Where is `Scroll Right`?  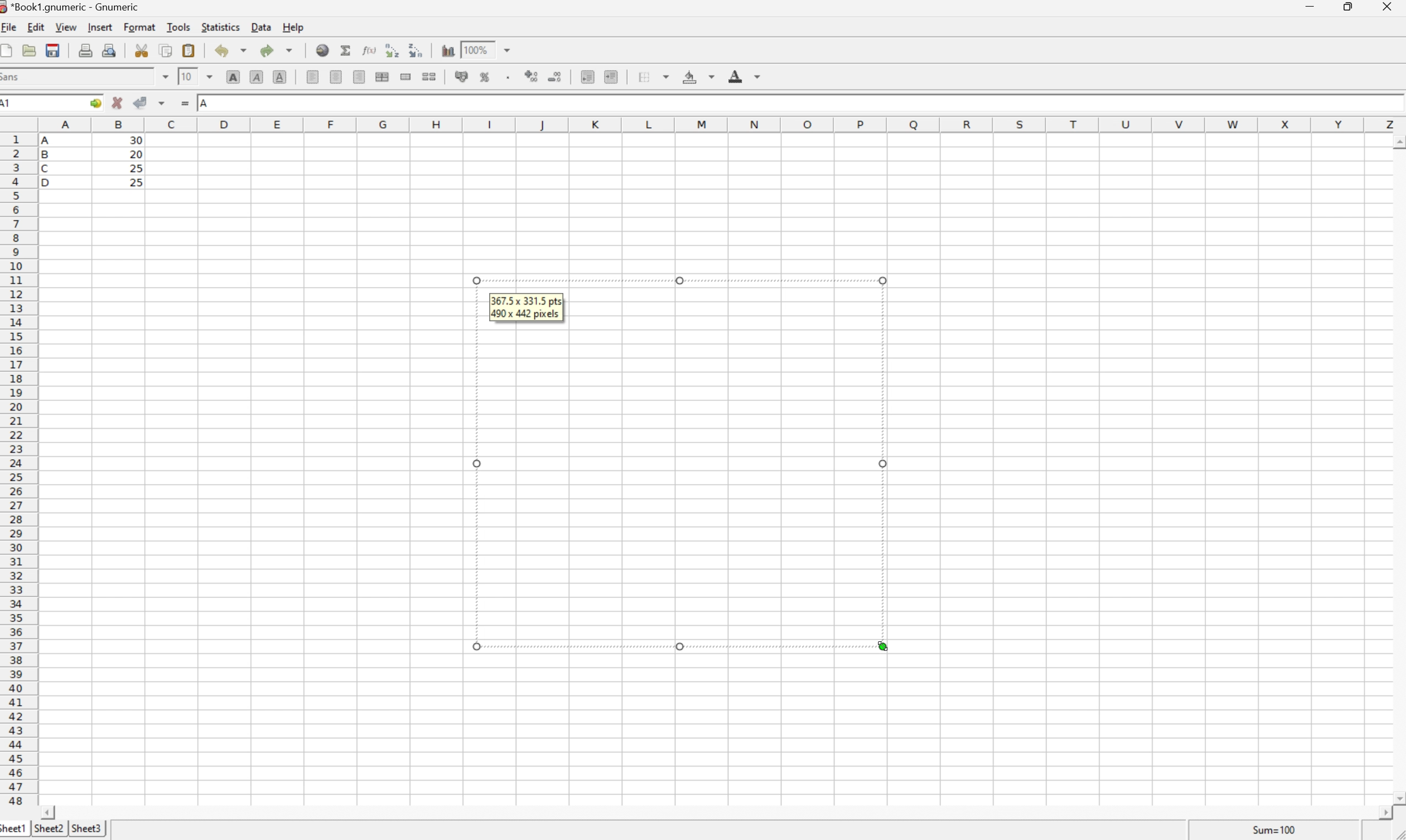
Scroll Right is located at coordinates (1381, 813).